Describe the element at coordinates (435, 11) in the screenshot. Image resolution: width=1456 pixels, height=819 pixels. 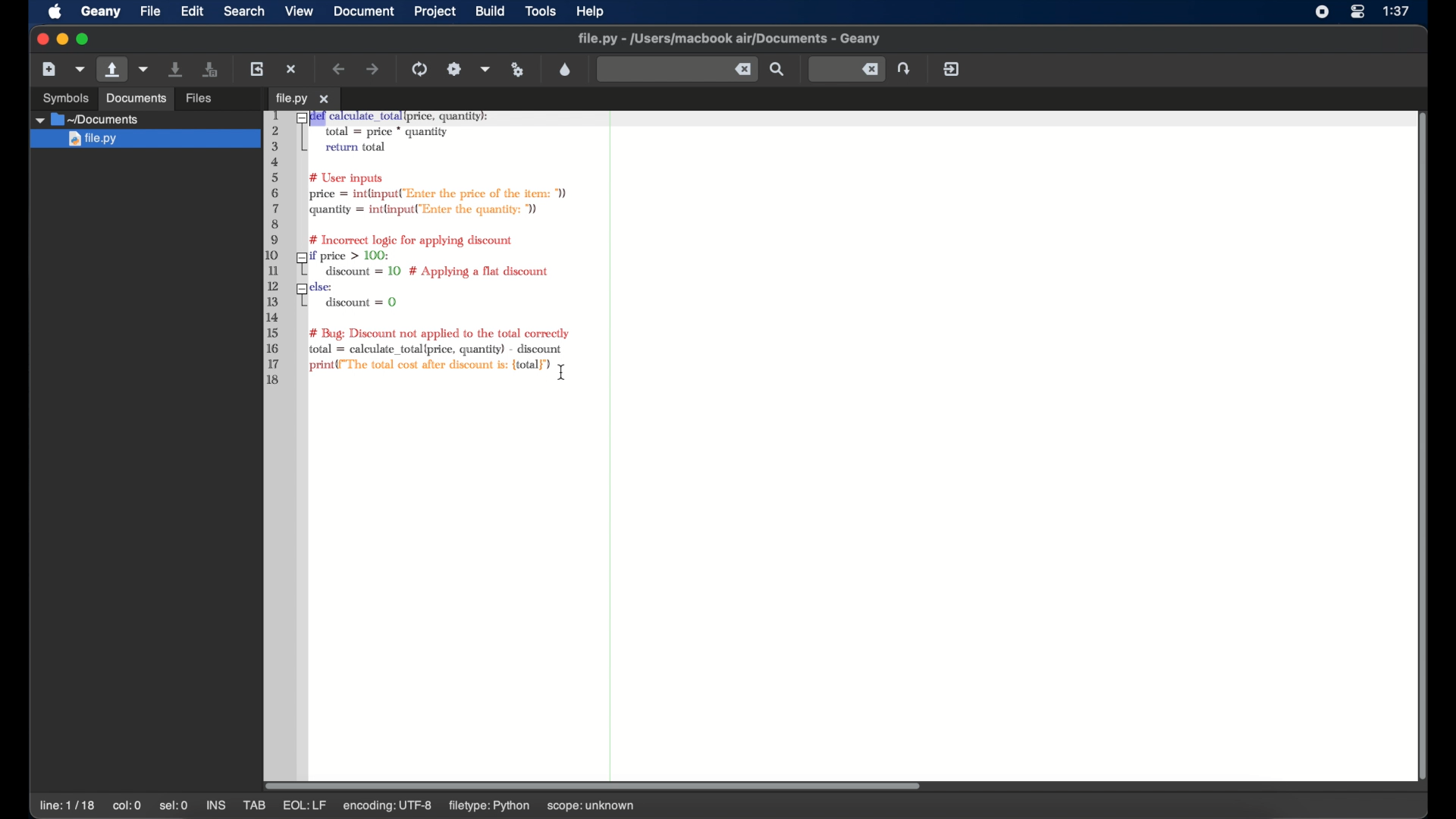
I see `project` at that location.